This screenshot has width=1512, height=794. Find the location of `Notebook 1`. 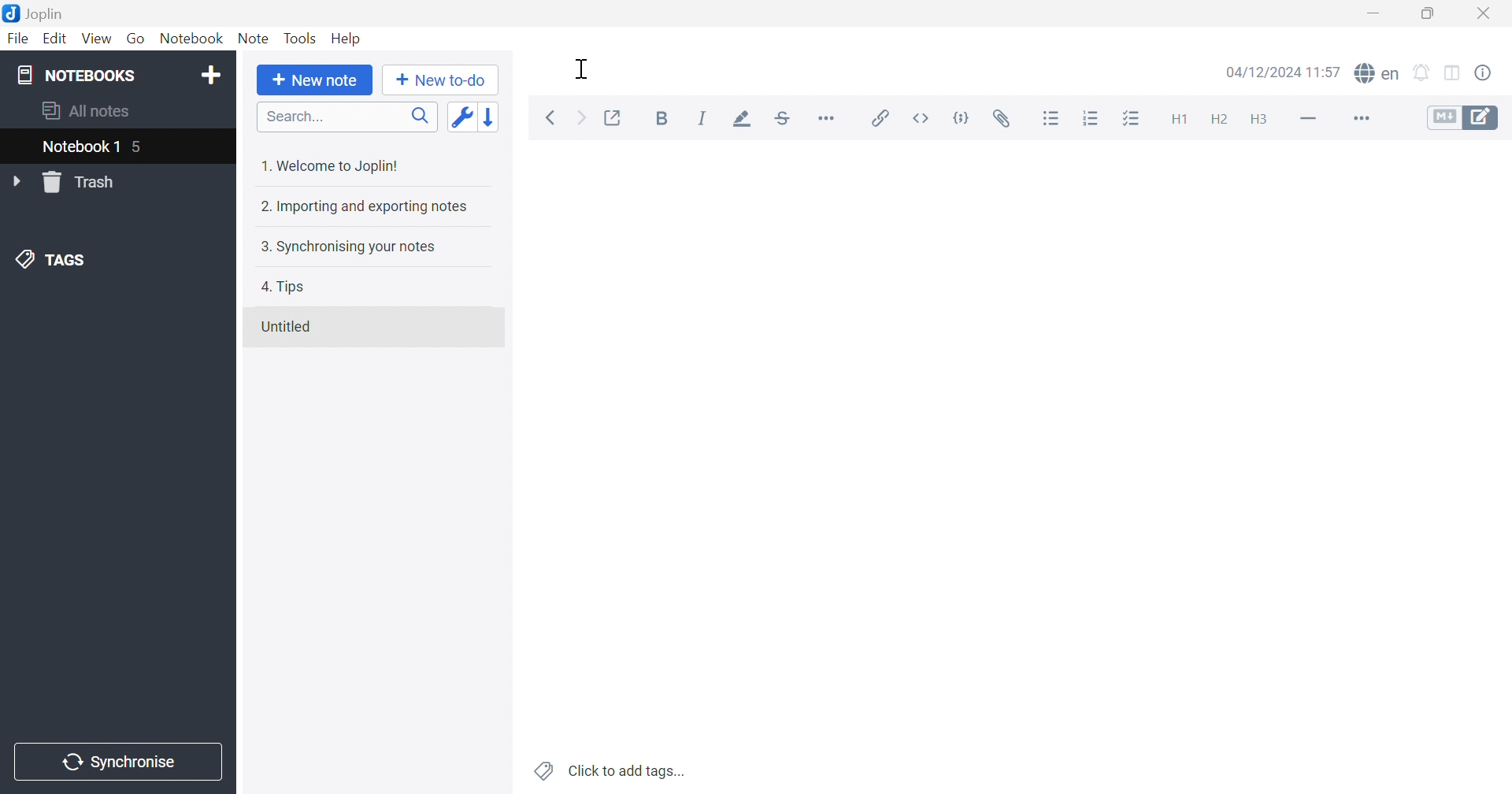

Notebook 1 is located at coordinates (95, 148).